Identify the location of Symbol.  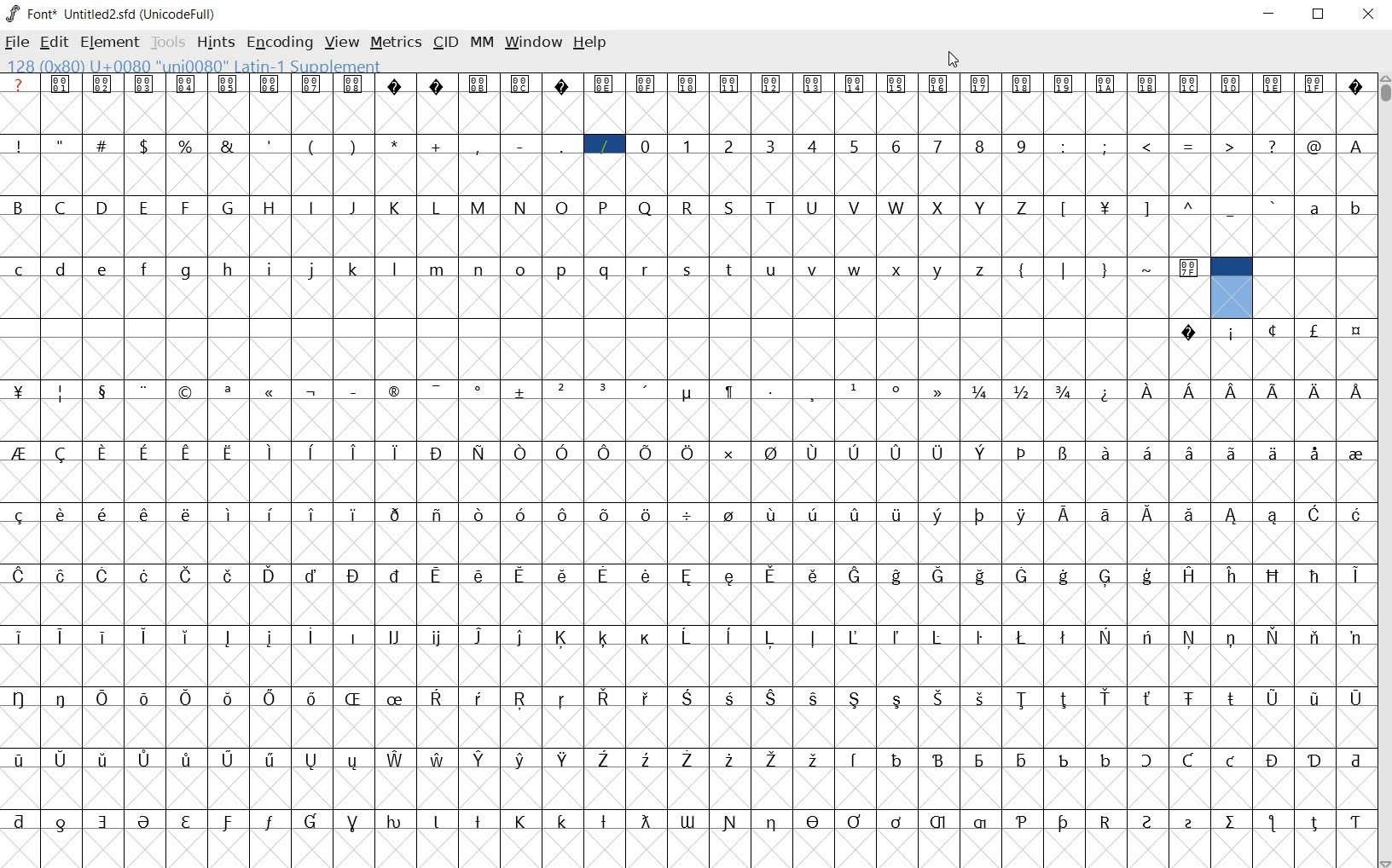
(1147, 760).